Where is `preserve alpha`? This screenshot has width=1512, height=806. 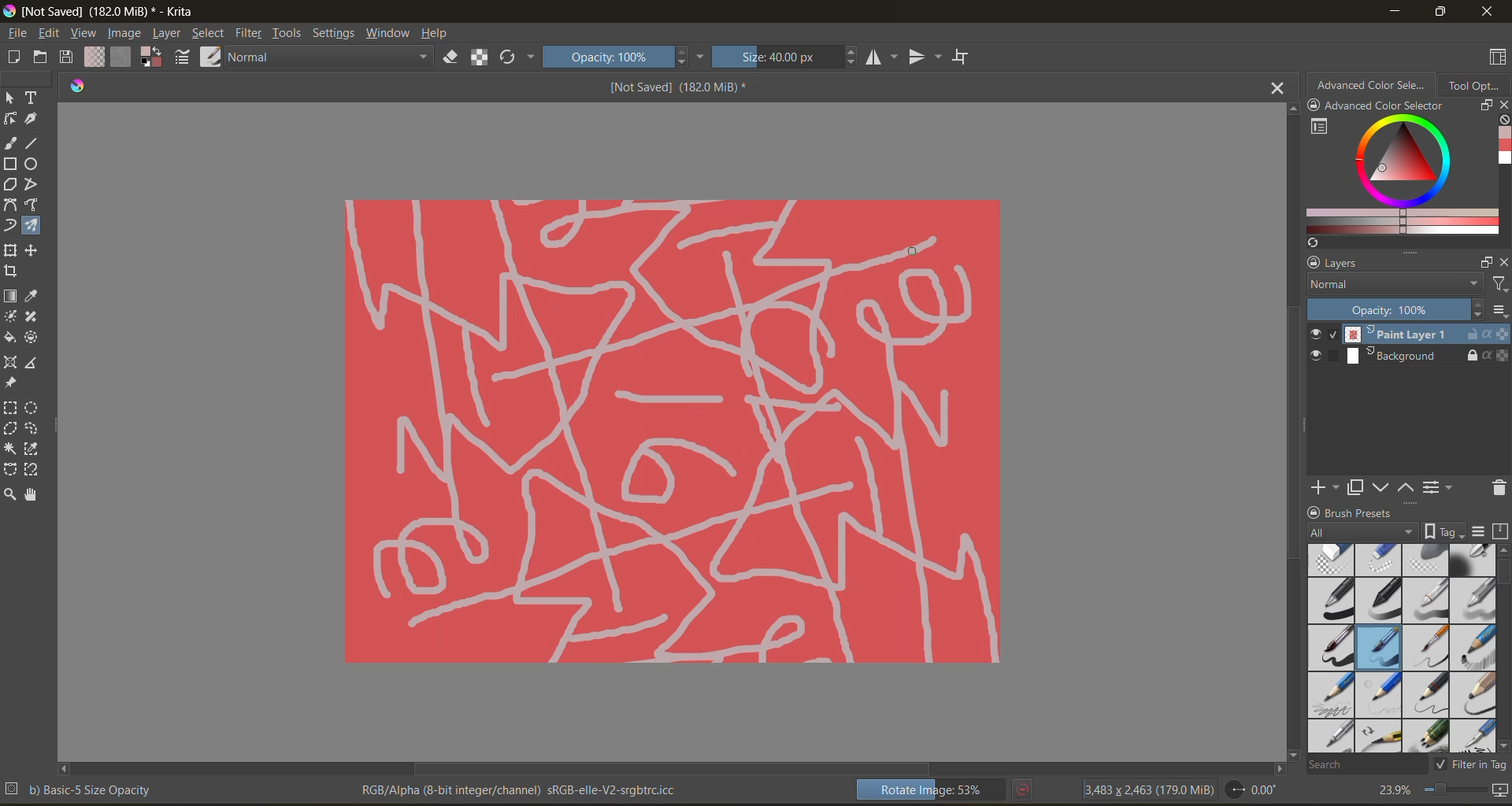
preserve alpha is located at coordinates (480, 61).